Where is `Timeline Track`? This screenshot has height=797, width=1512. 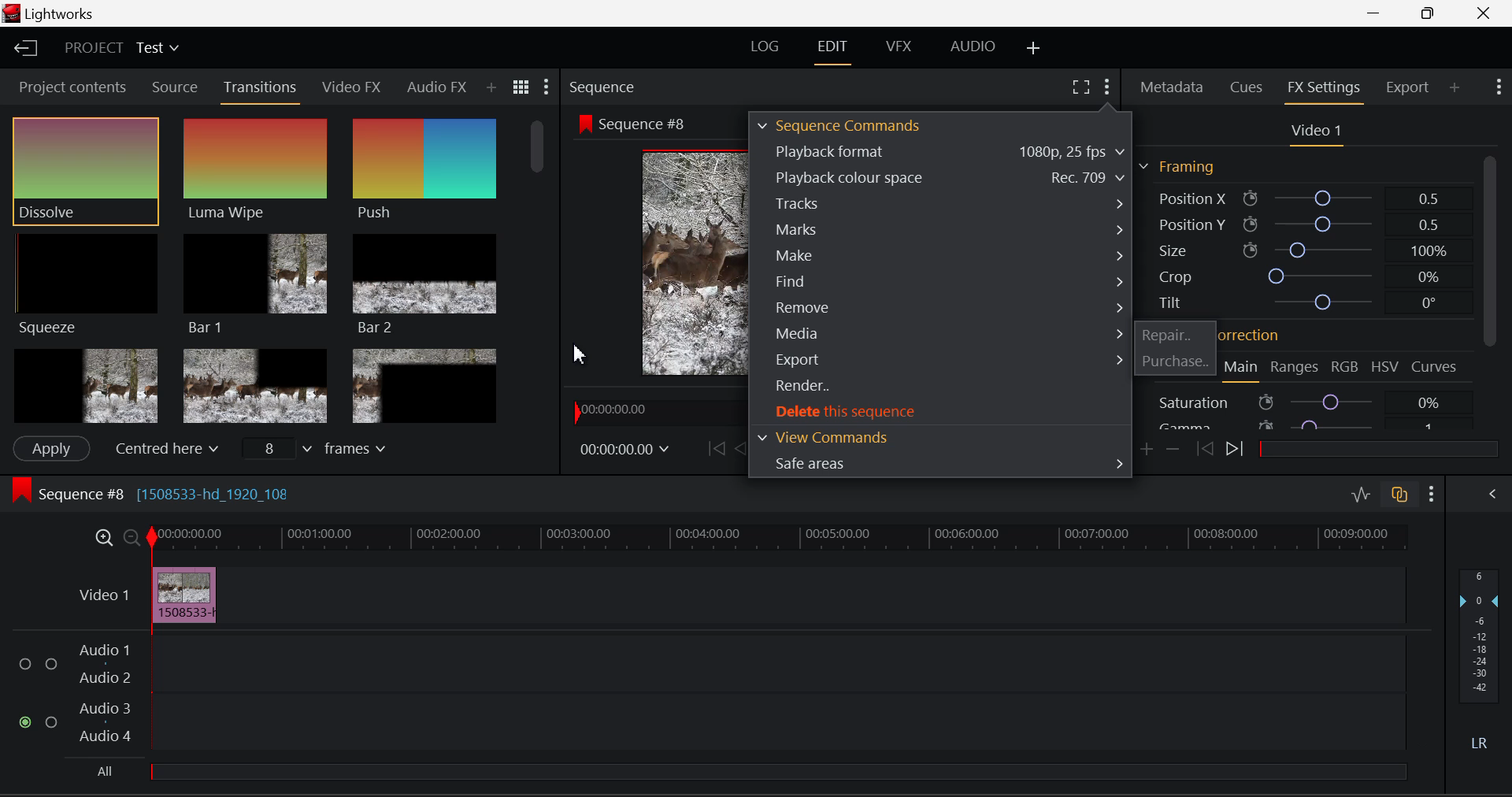 Timeline Track is located at coordinates (778, 539).